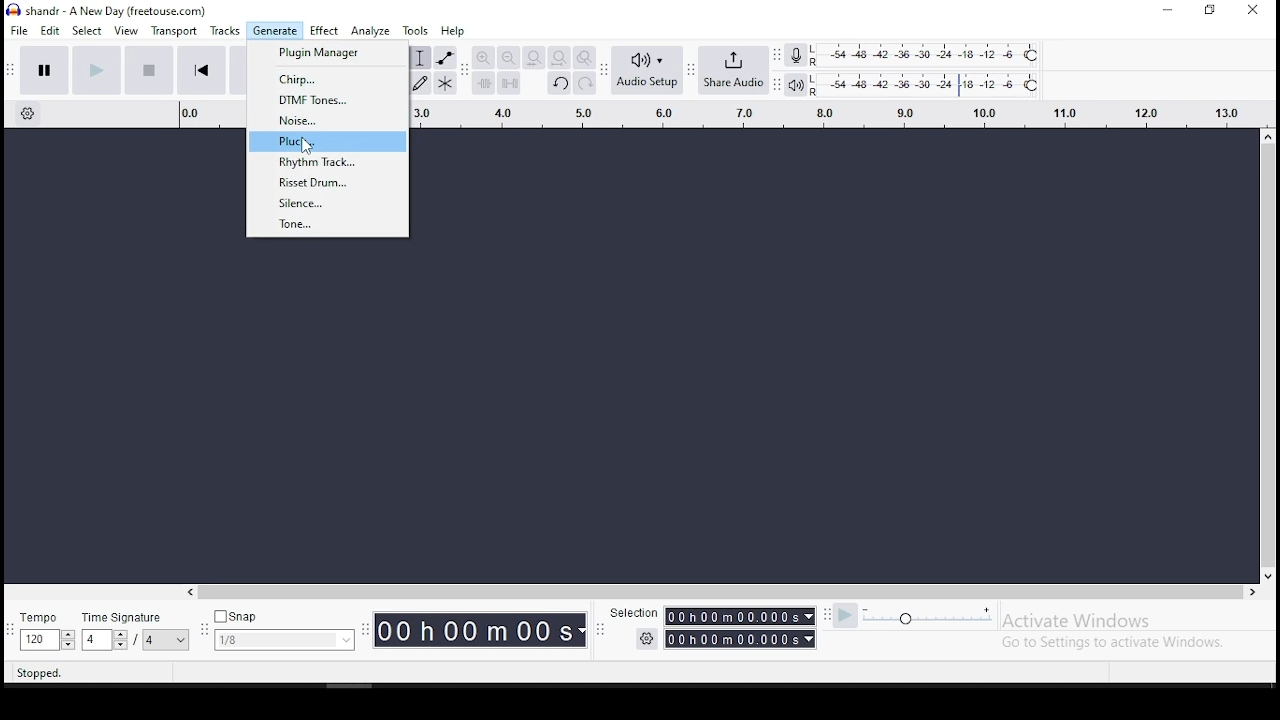 This screenshot has width=1280, height=720. Describe the element at coordinates (418, 30) in the screenshot. I see `tools` at that location.